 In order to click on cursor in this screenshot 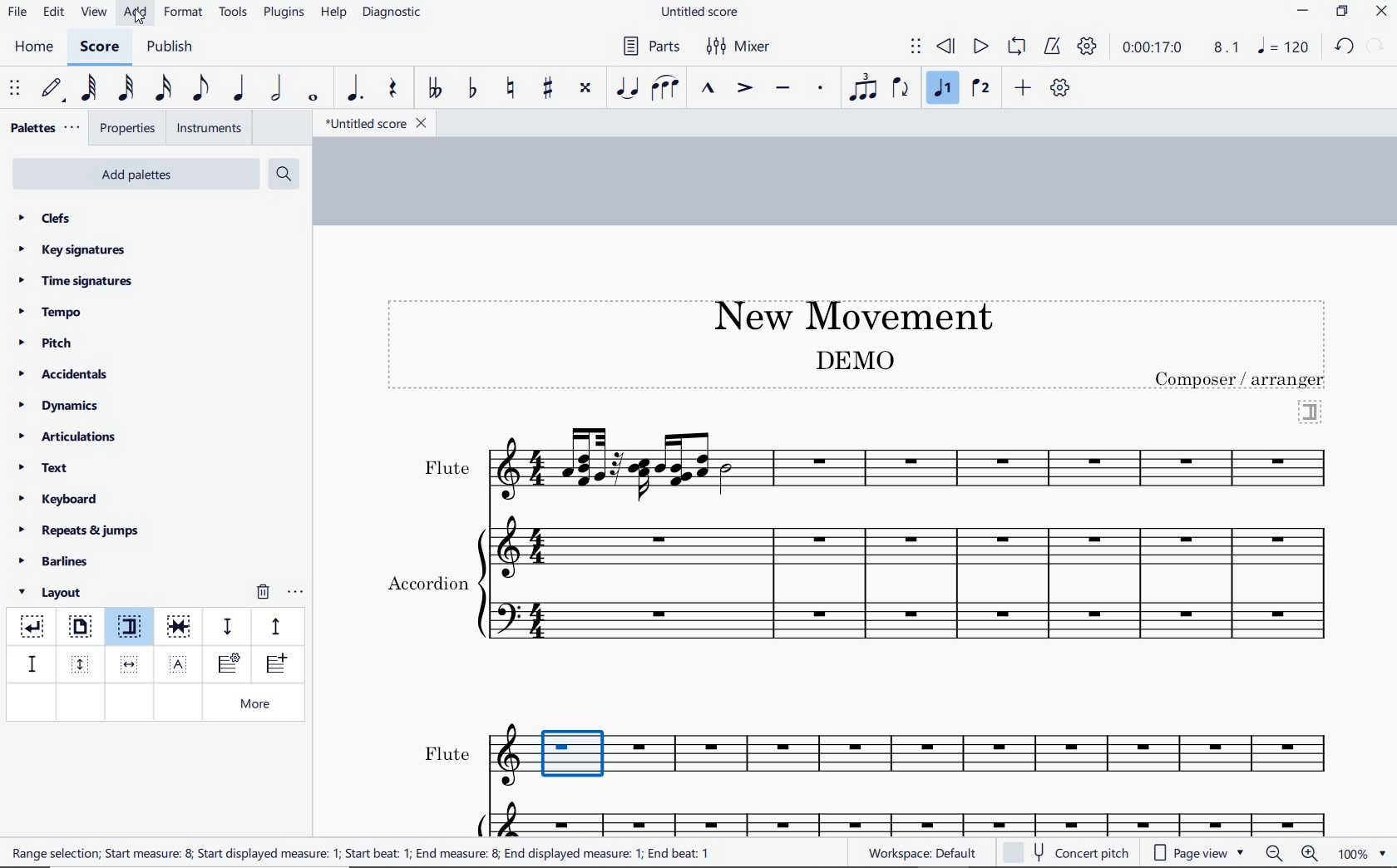, I will do `click(140, 17)`.